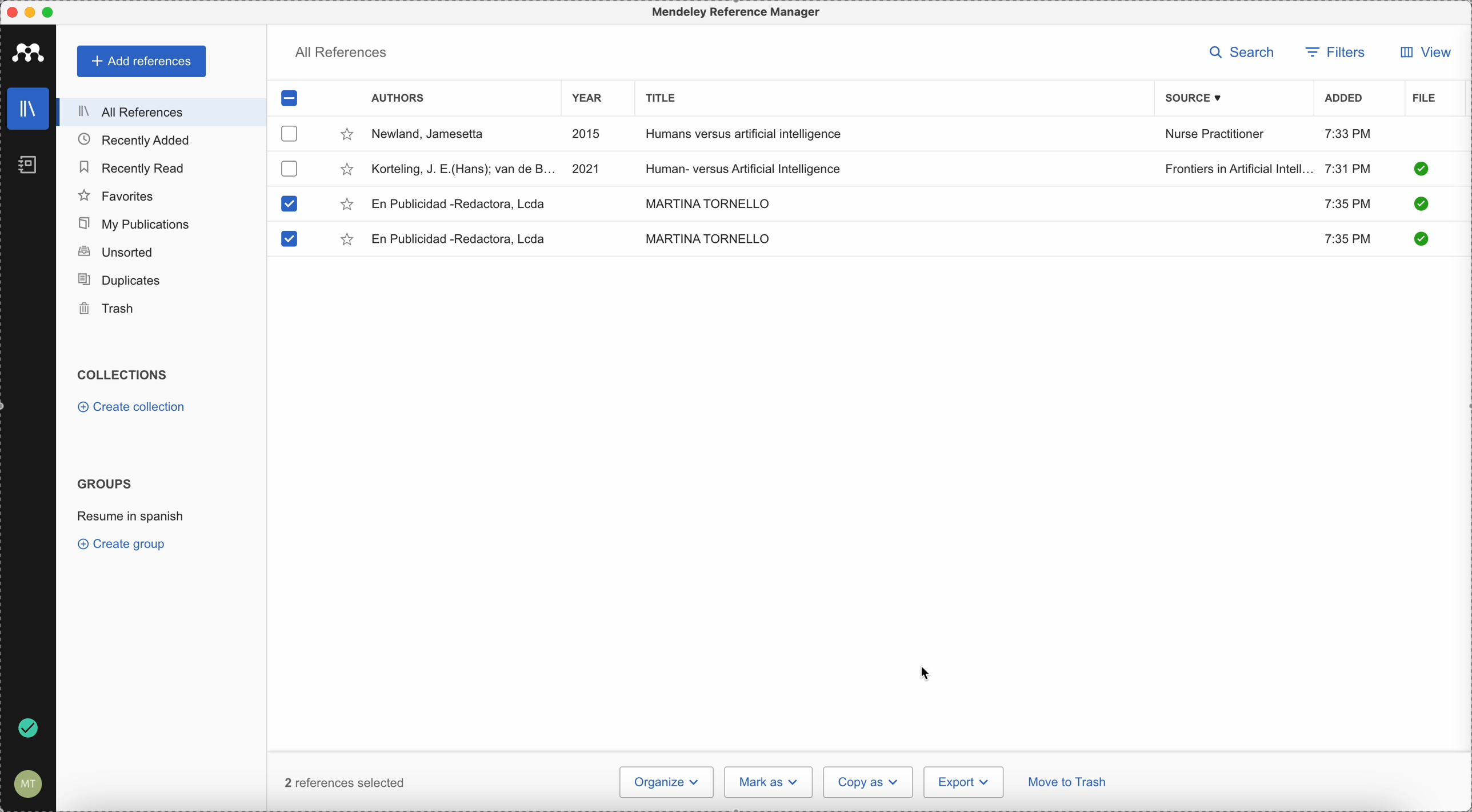 This screenshot has width=1472, height=812. I want to click on checkbox selected, so click(287, 238).